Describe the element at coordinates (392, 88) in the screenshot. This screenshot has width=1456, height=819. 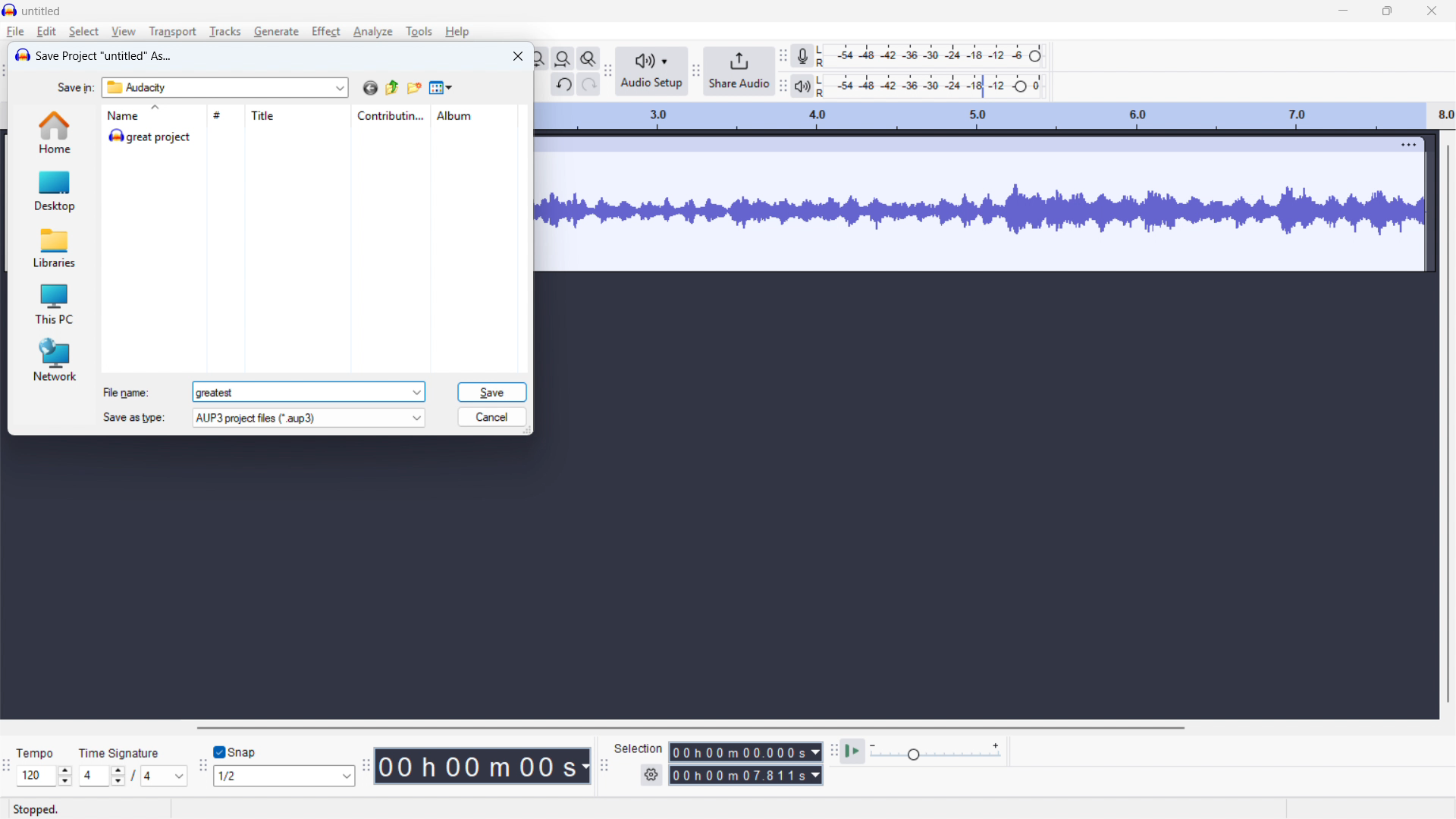
I see `previous folder` at that location.